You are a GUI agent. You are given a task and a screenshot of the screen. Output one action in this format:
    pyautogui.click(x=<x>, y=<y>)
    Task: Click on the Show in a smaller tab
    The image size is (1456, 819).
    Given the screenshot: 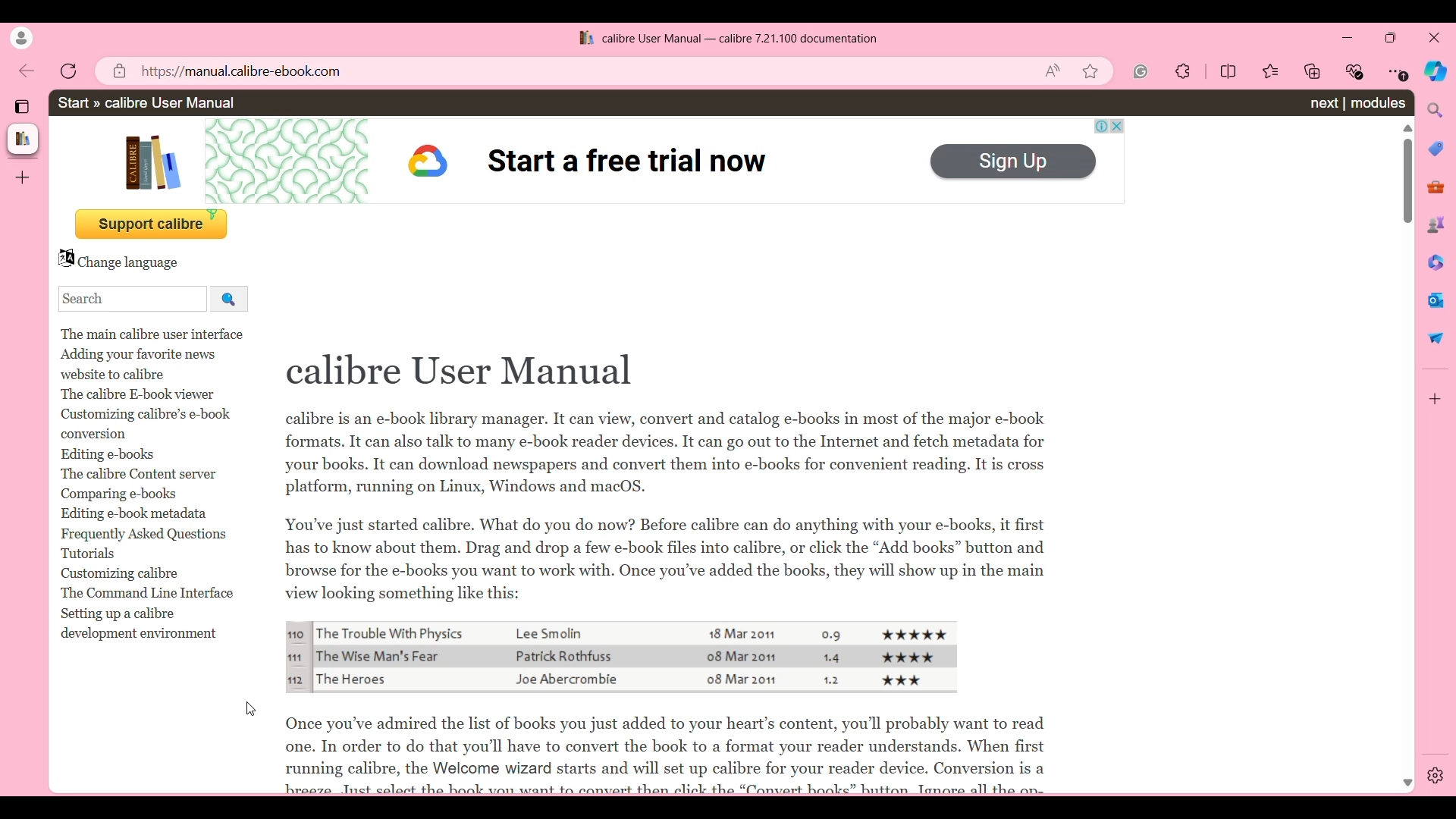 What is the action you would take?
    pyautogui.click(x=1391, y=38)
    